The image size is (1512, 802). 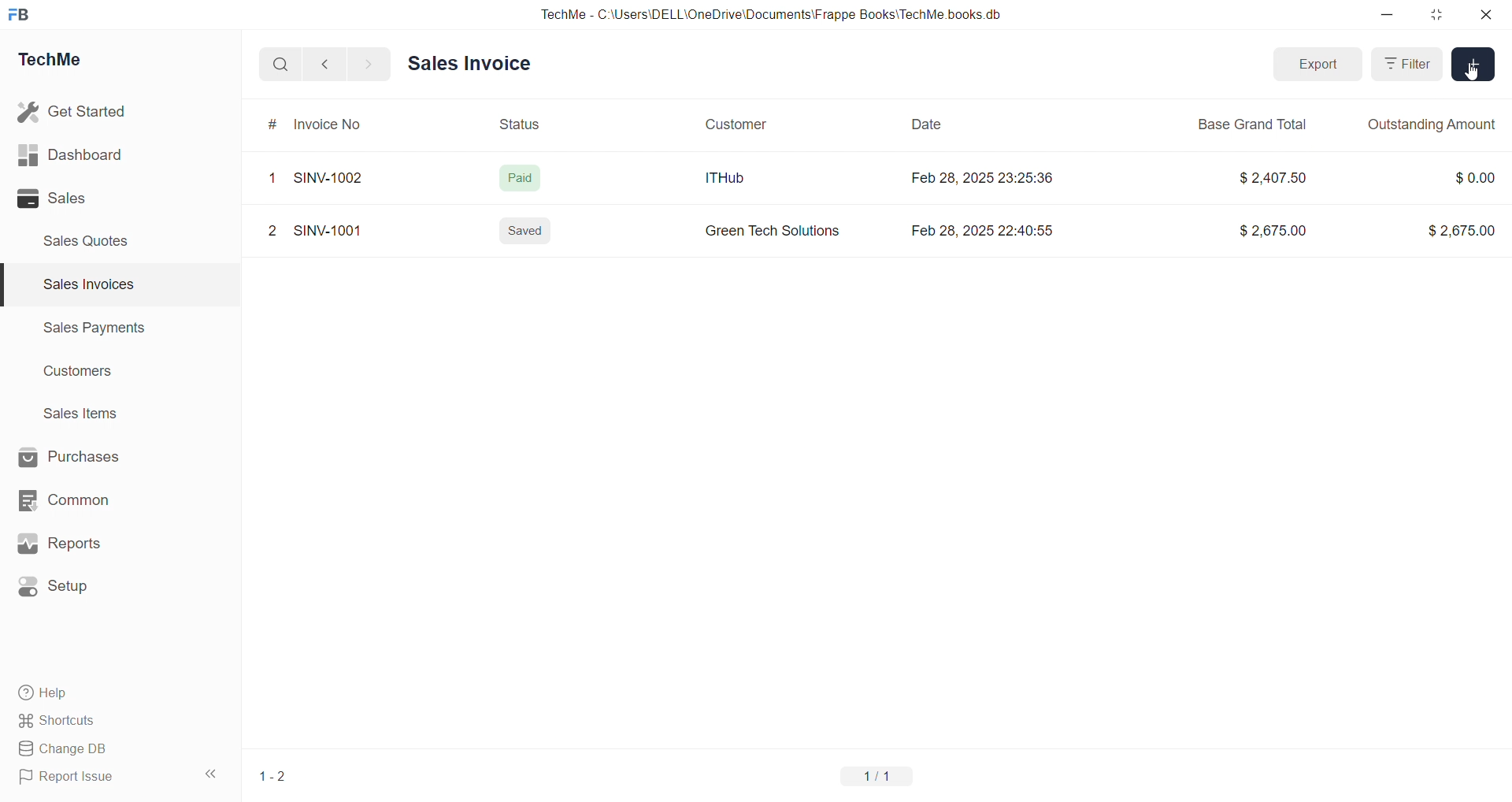 I want to click on Outstanding Amount, so click(x=1434, y=125).